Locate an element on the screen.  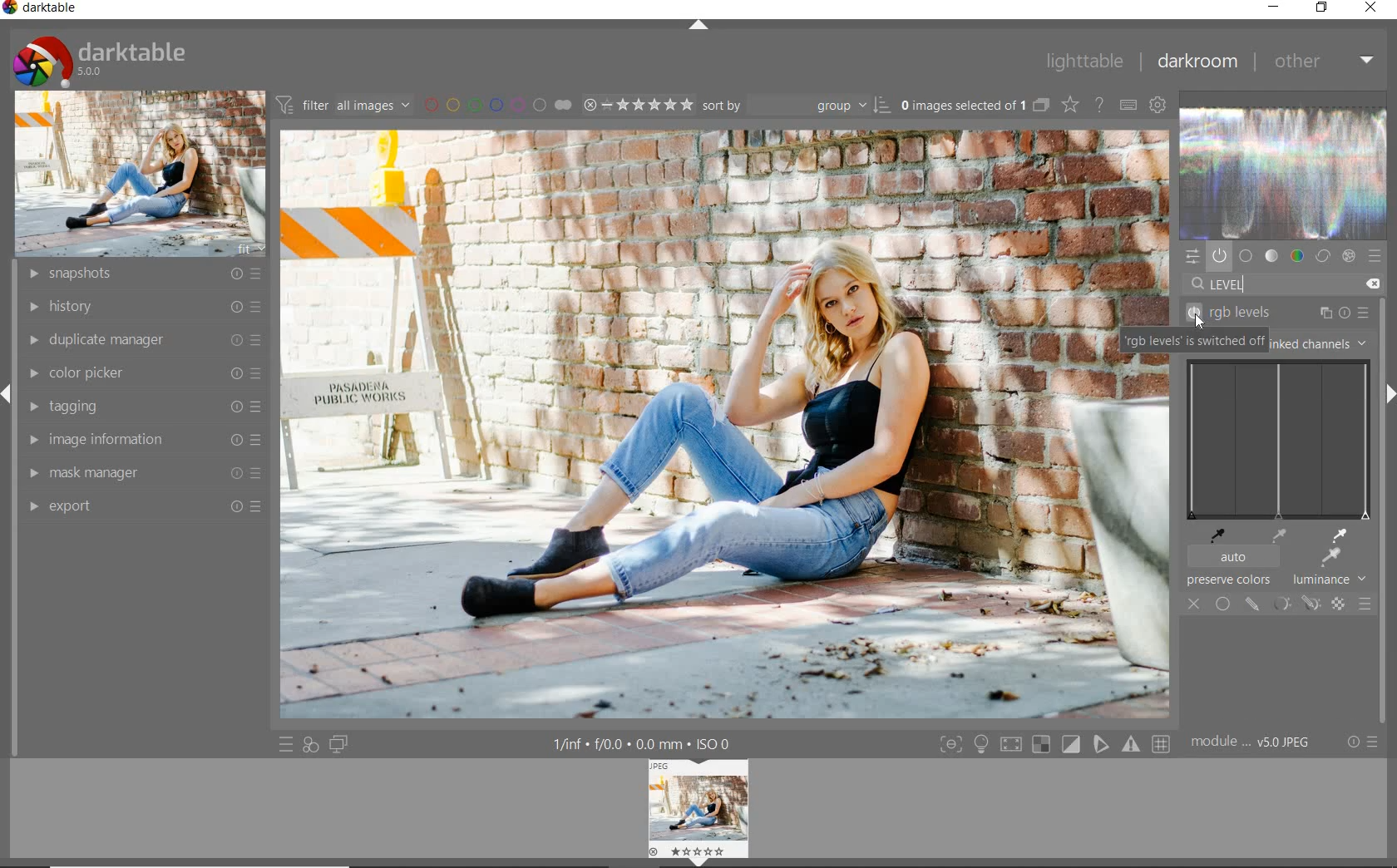
mask modules is located at coordinates (1293, 604).